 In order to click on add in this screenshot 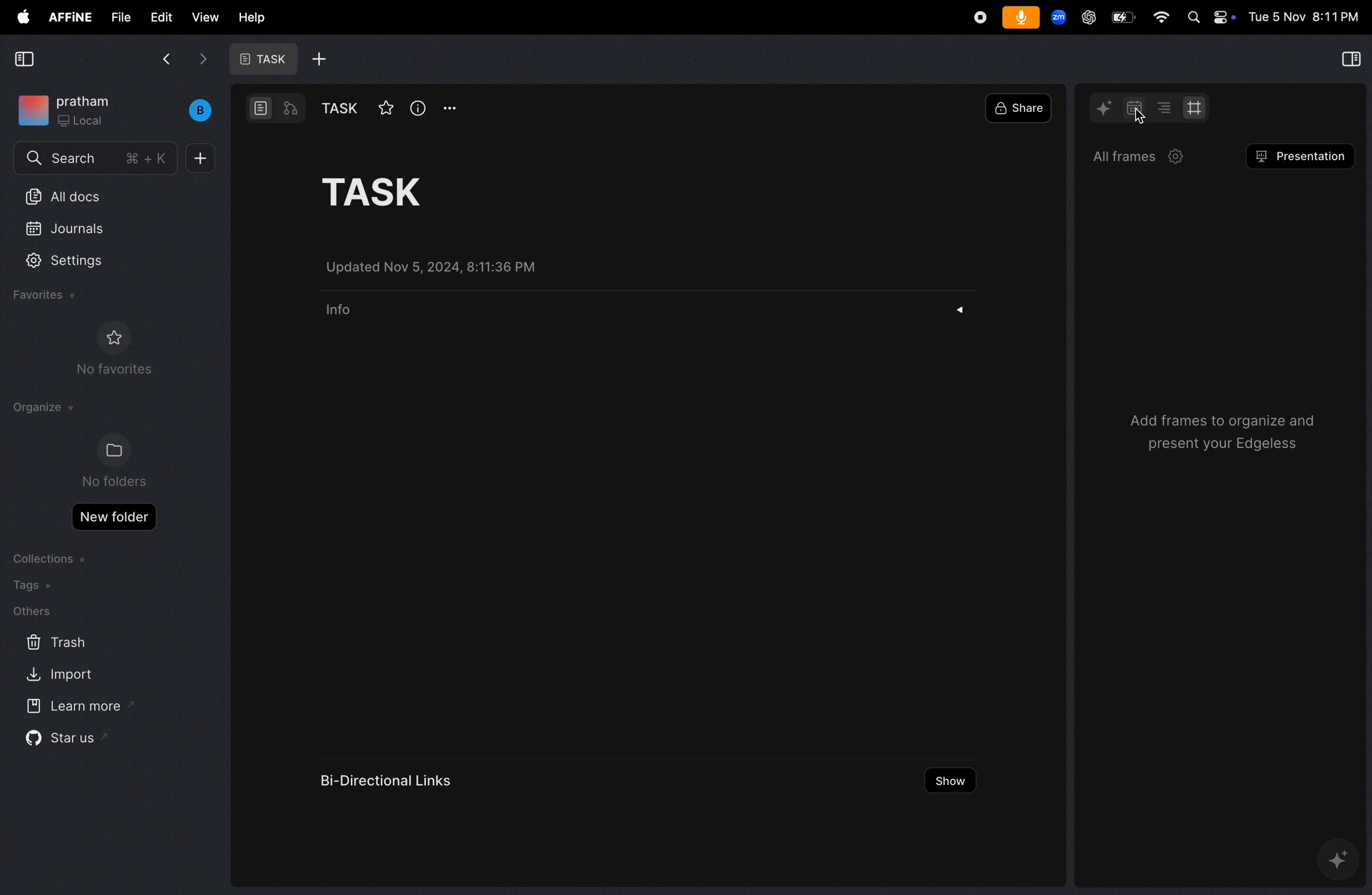, I will do `click(319, 59)`.